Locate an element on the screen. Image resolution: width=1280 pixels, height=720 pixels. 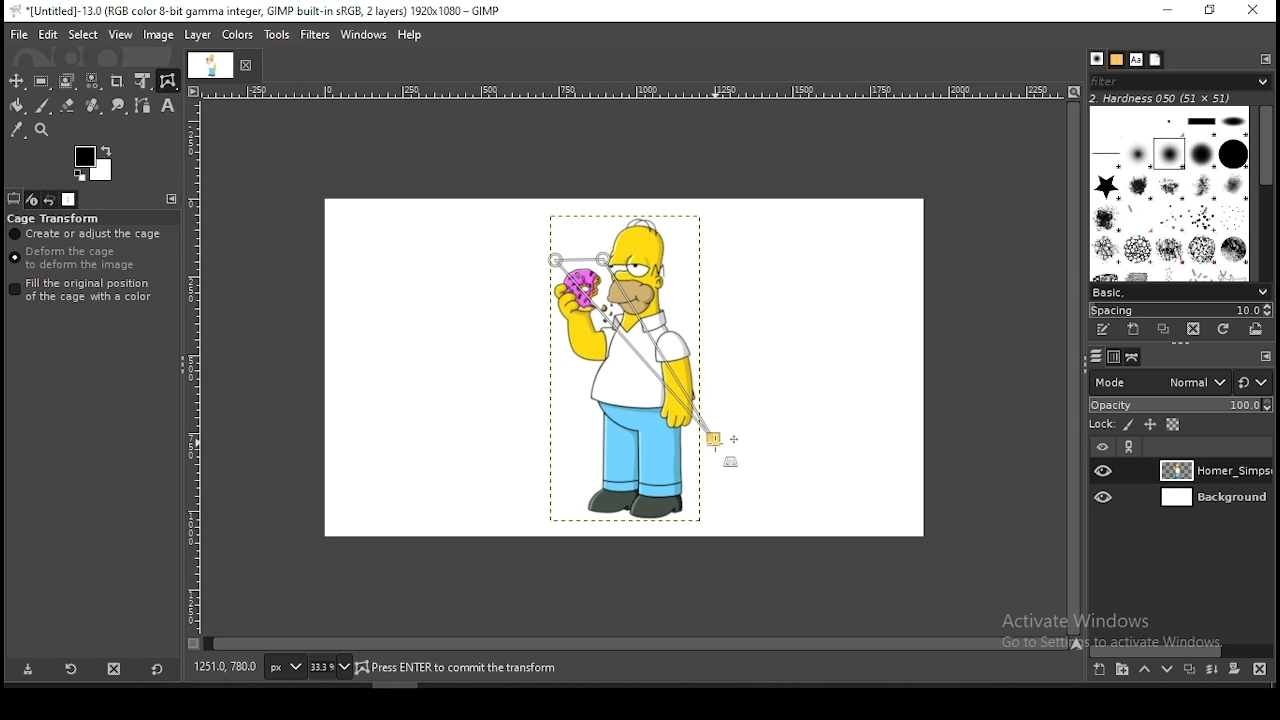
scale is located at coordinates (634, 92).